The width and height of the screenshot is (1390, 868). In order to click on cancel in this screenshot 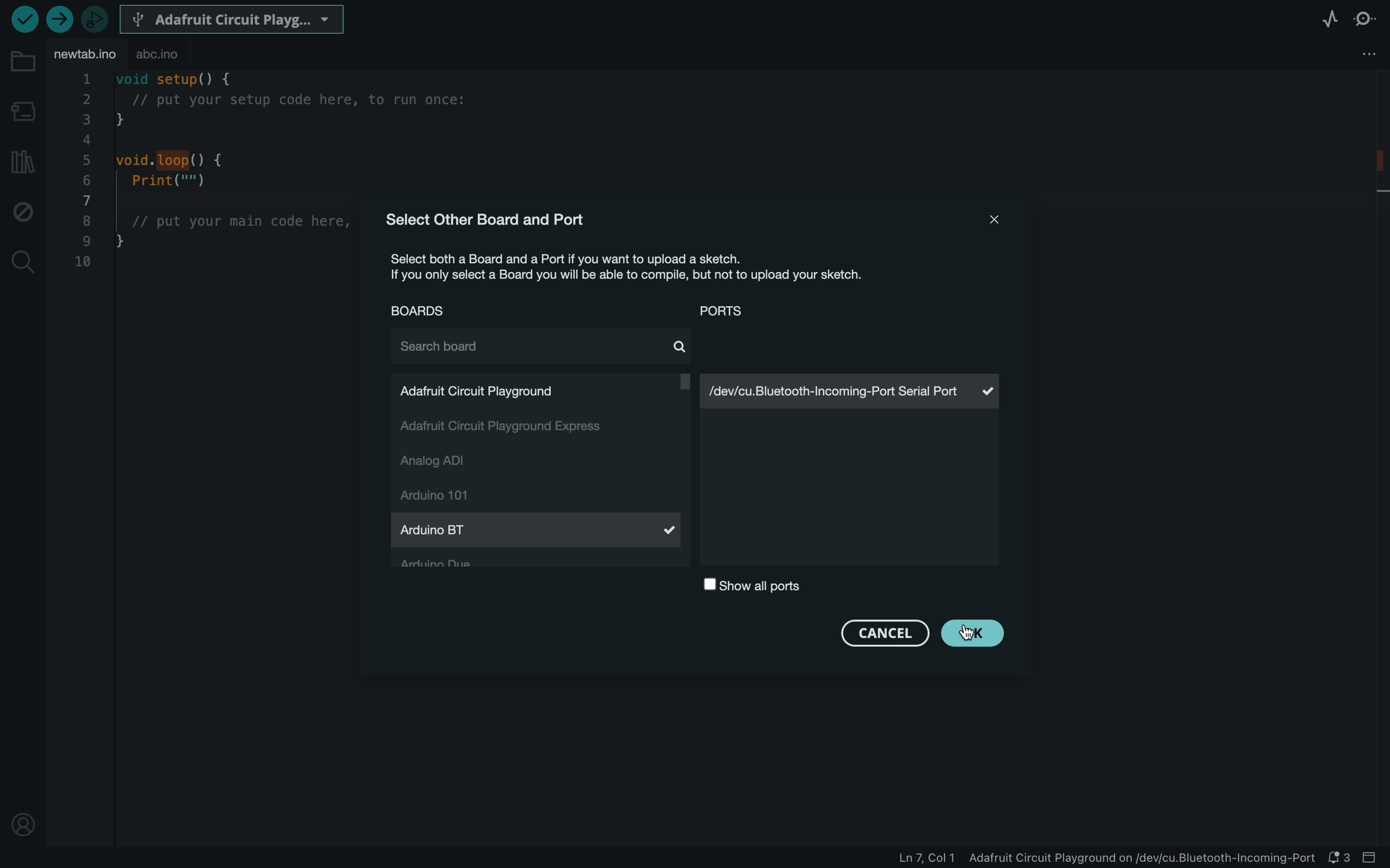, I will do `click(883, 634)`.